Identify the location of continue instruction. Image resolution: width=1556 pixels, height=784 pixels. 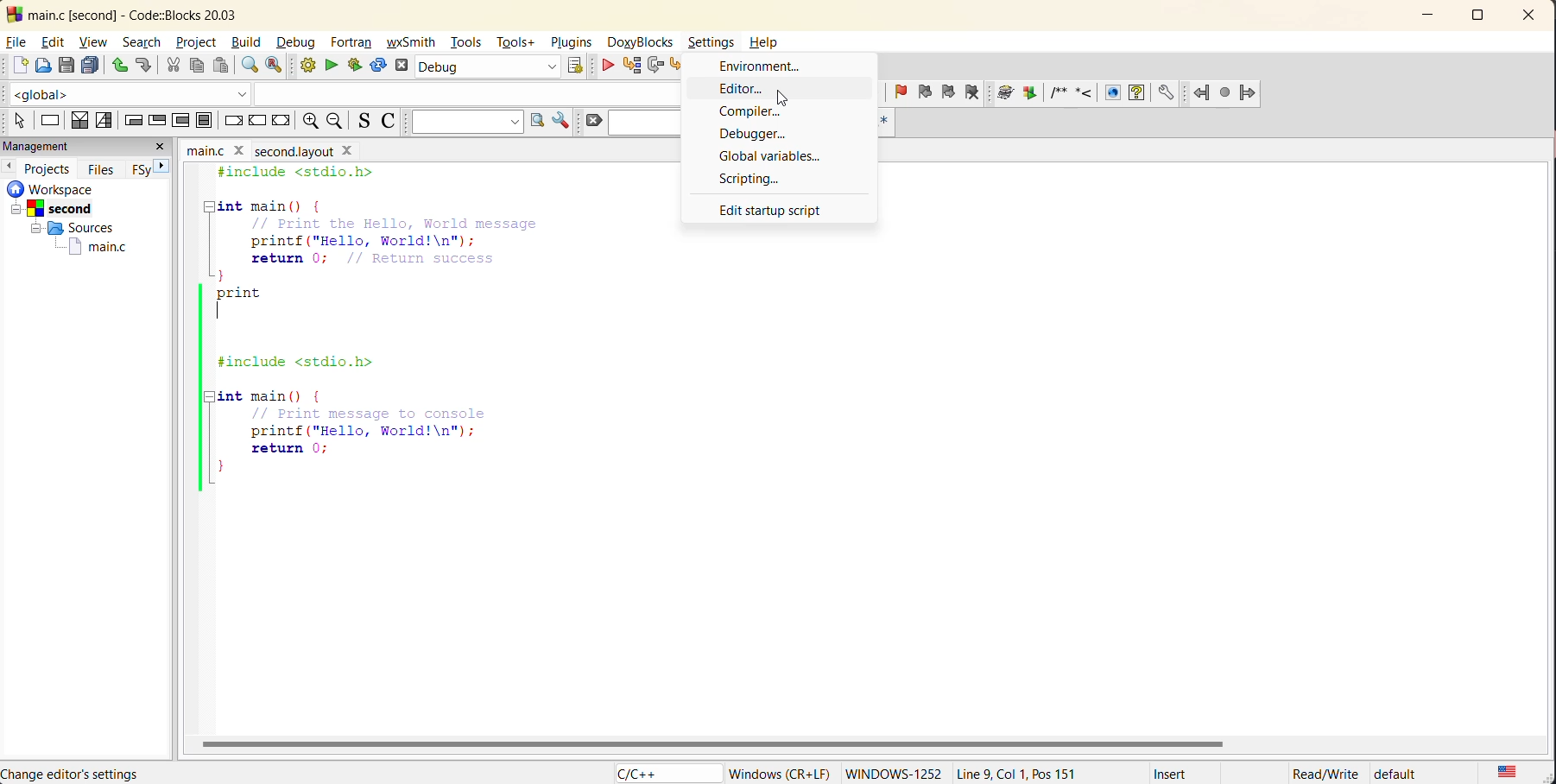
(259, 120).